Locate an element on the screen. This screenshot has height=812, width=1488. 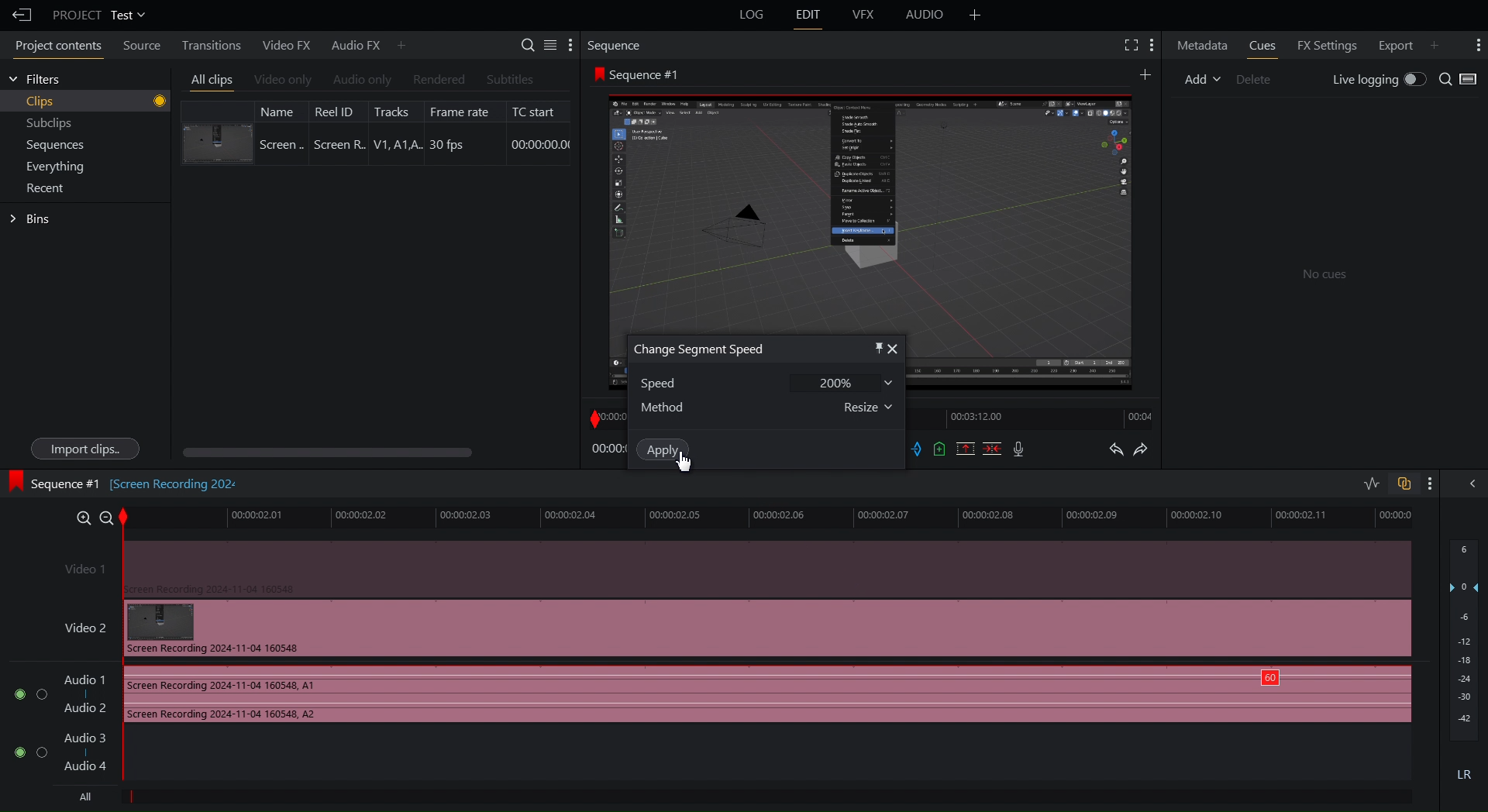
Back is located at coordinates (18, 15).